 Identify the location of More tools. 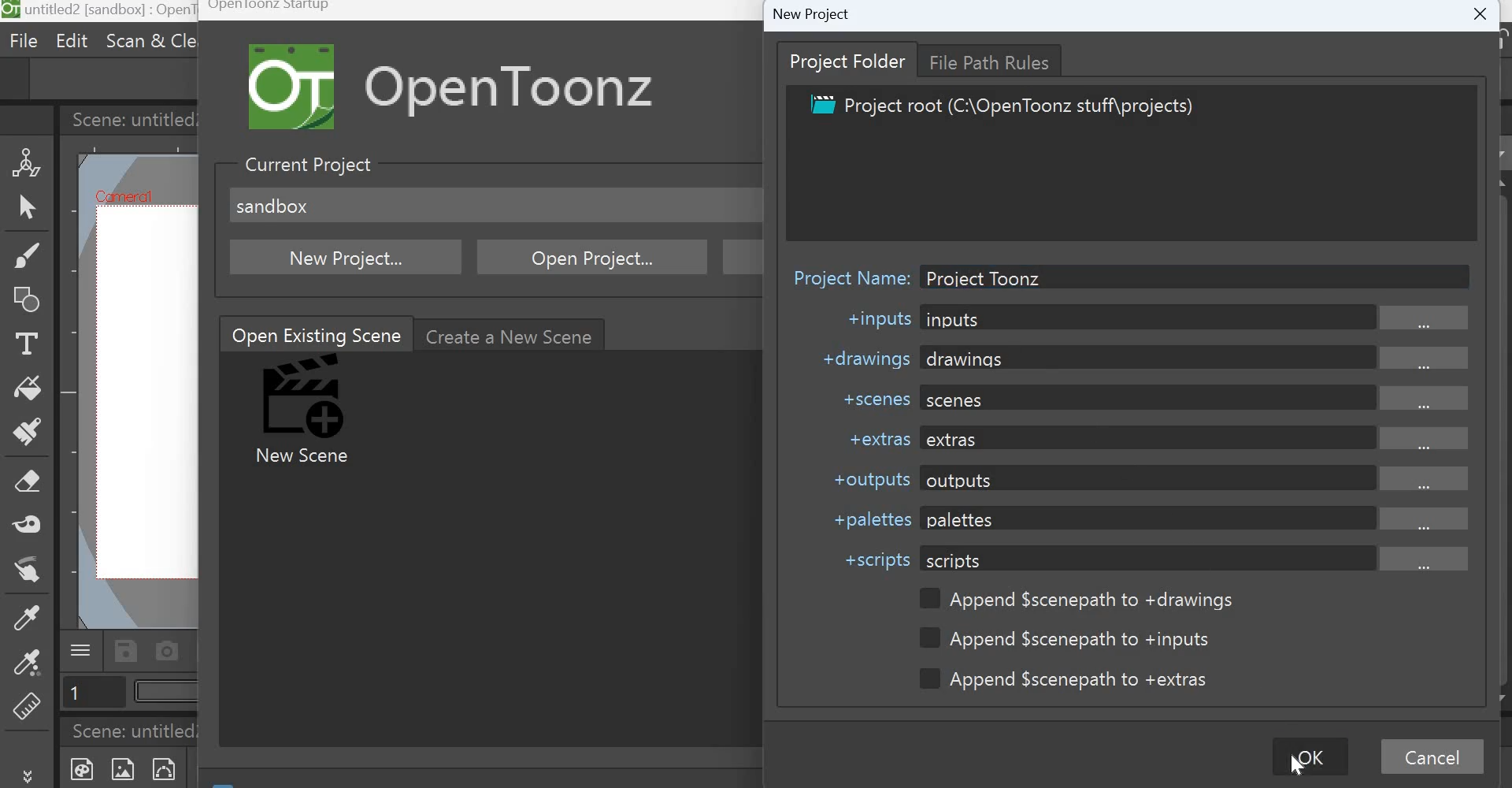
(30, 775).